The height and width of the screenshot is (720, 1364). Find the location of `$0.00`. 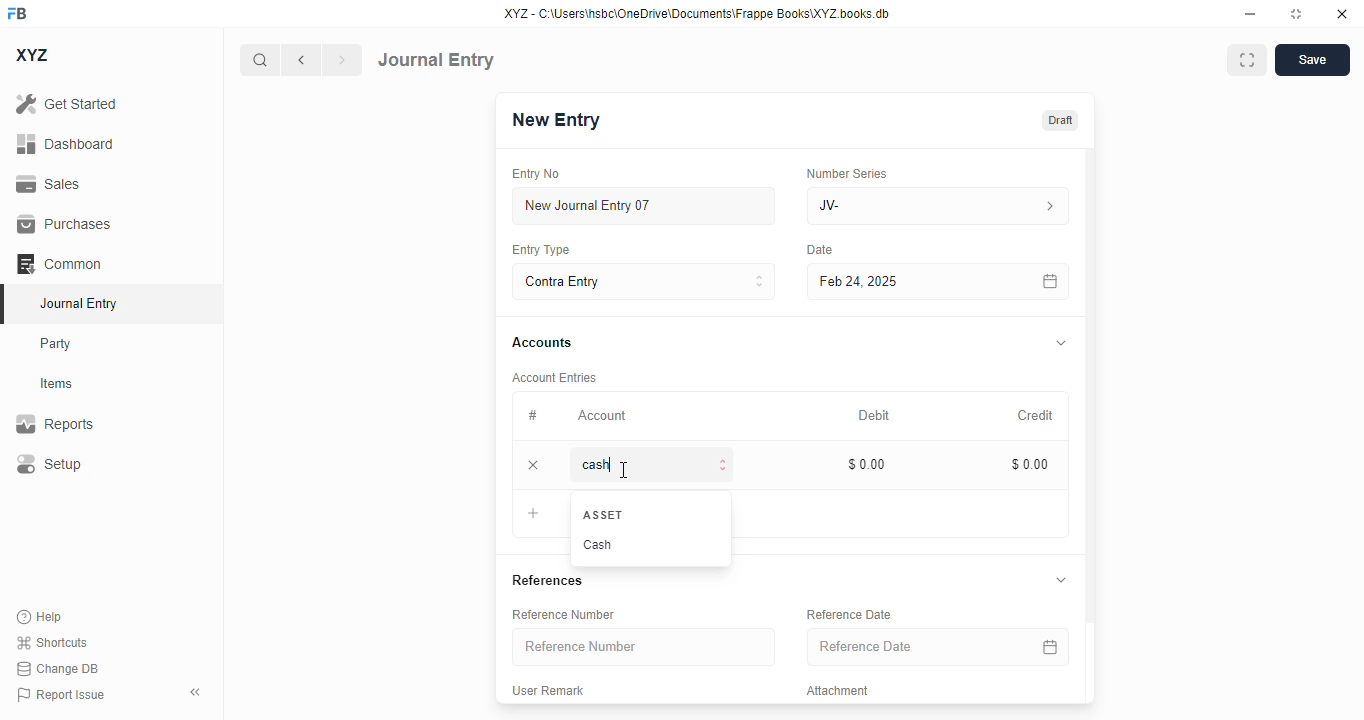

$0.00 is located at coordinates (1032, 464).